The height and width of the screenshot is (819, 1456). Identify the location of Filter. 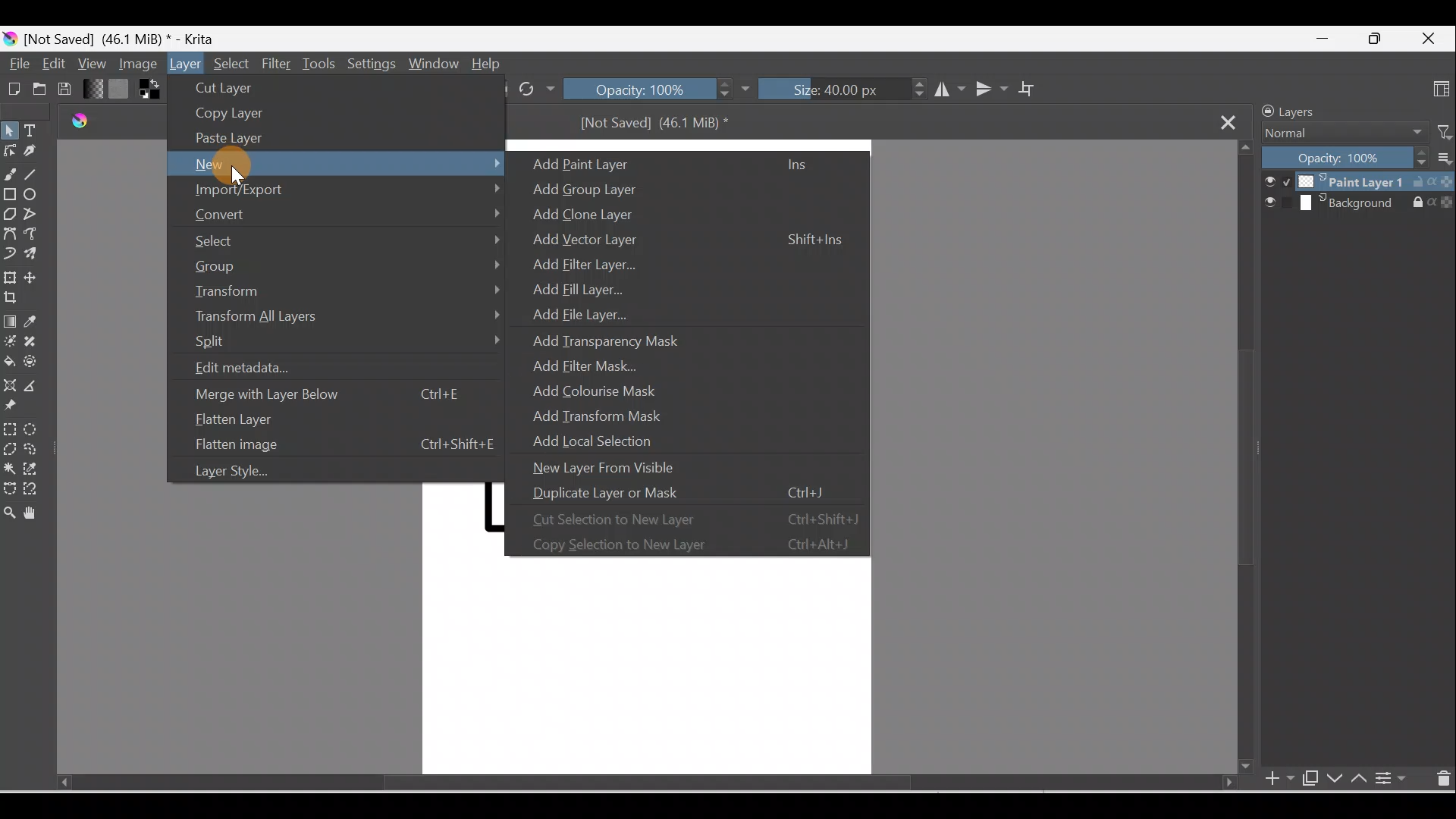
(278, 63).